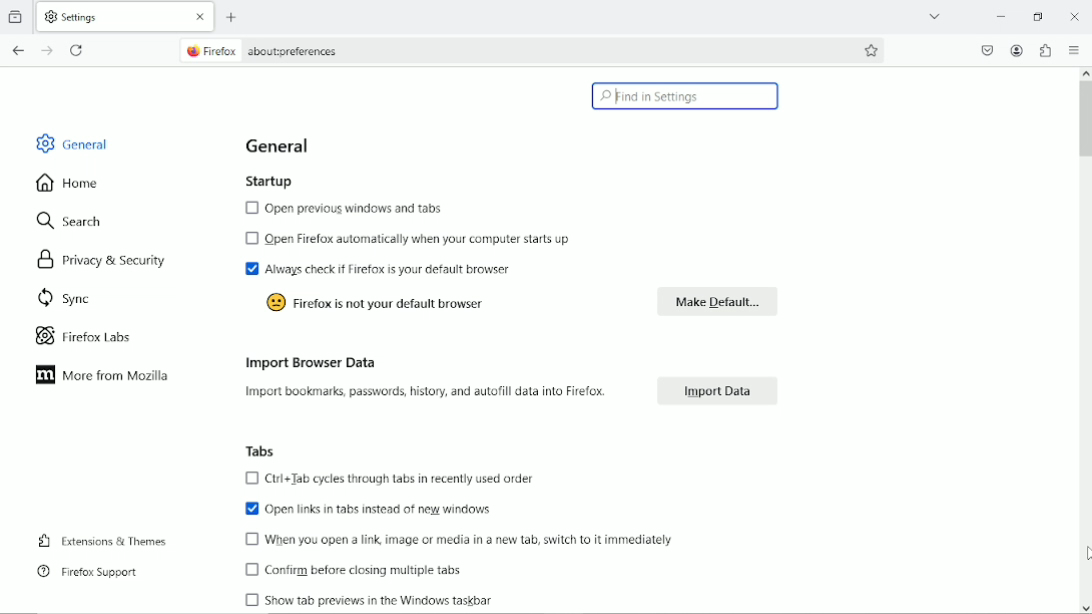 The width and height of the screenshot is (1092, 614). What do you see at coordinates (351, 209) in the screenshot?
I see `Open previous windows and tabs` at bounding box center [351, 209].